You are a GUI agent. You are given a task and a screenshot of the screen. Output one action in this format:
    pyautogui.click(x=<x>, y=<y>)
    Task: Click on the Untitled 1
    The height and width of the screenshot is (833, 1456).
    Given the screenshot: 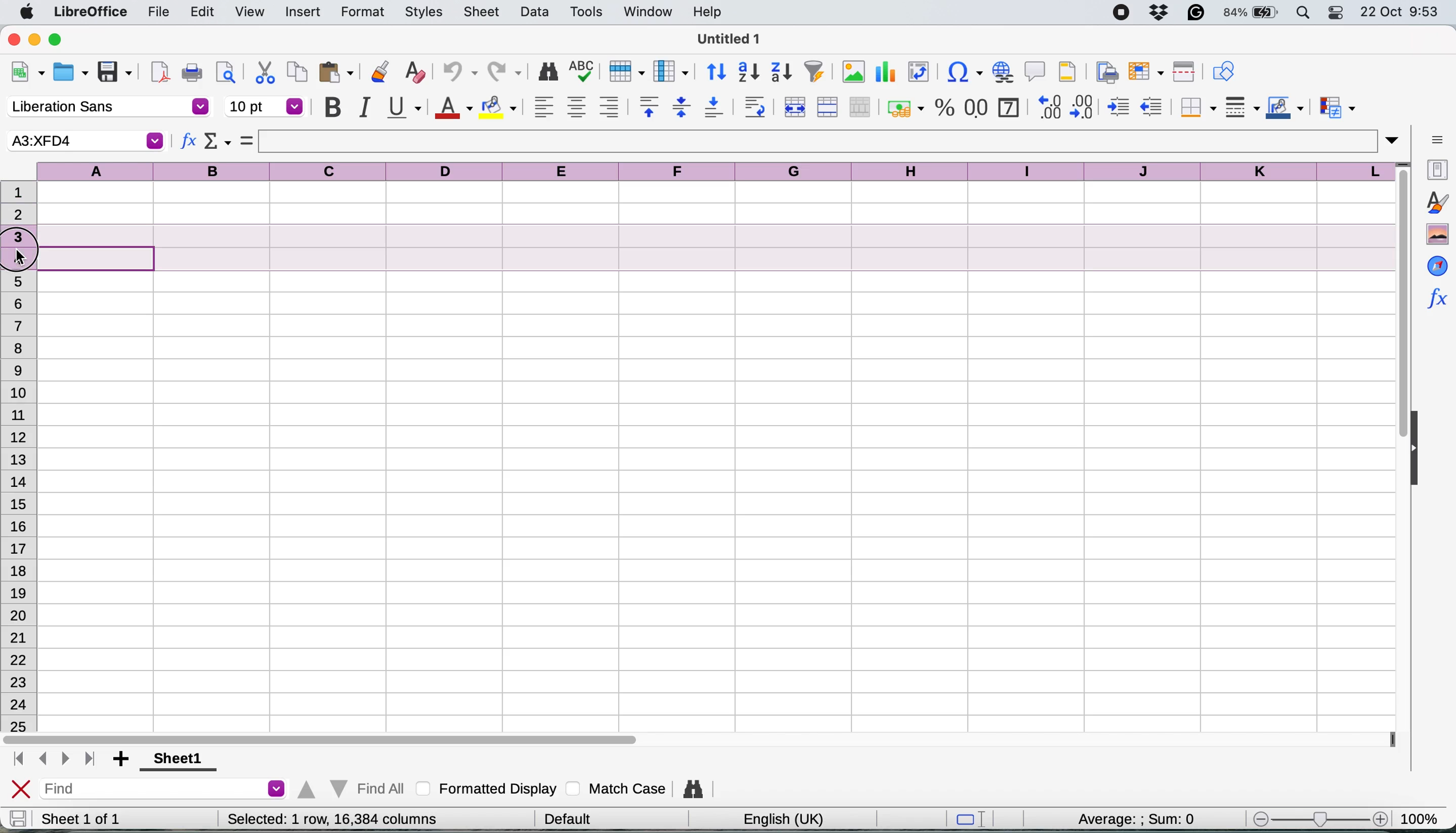 What is the action you would take?
    pyautogui.click(x=726, y=38)
    